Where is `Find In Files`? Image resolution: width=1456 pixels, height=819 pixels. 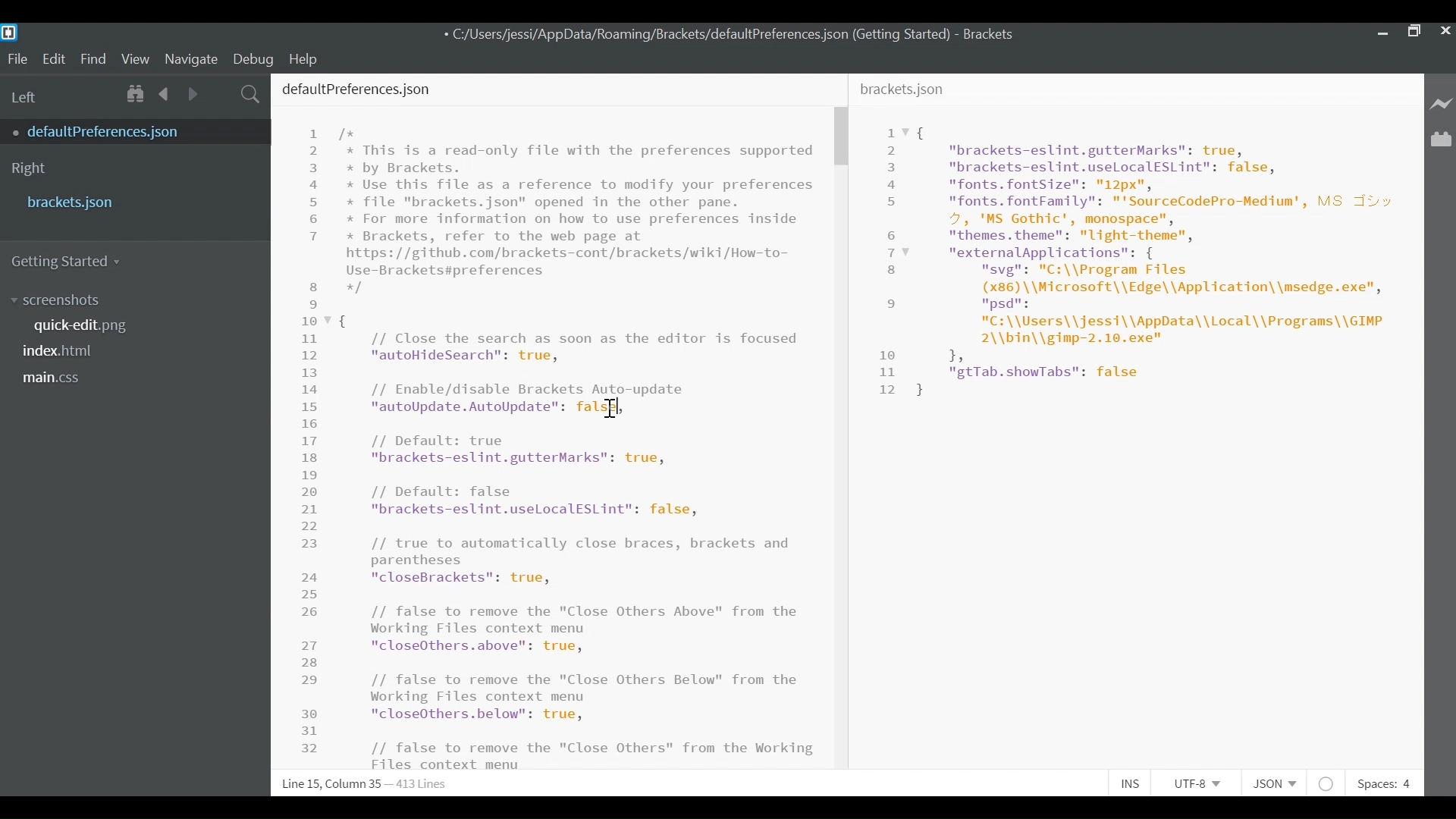 Find In Files is located at coordinates (251, 93).